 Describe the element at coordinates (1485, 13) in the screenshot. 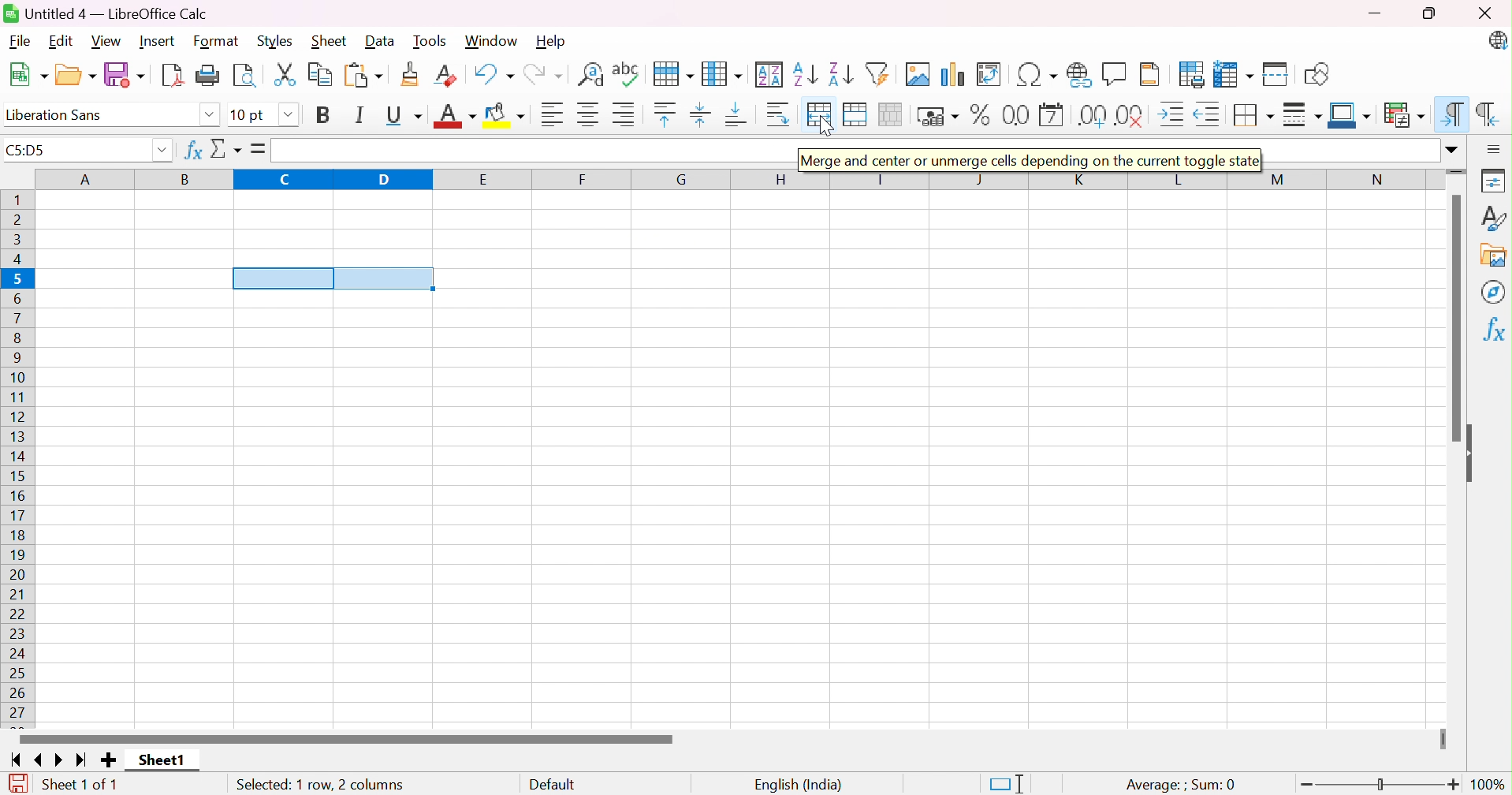

I see `Close` at that location.